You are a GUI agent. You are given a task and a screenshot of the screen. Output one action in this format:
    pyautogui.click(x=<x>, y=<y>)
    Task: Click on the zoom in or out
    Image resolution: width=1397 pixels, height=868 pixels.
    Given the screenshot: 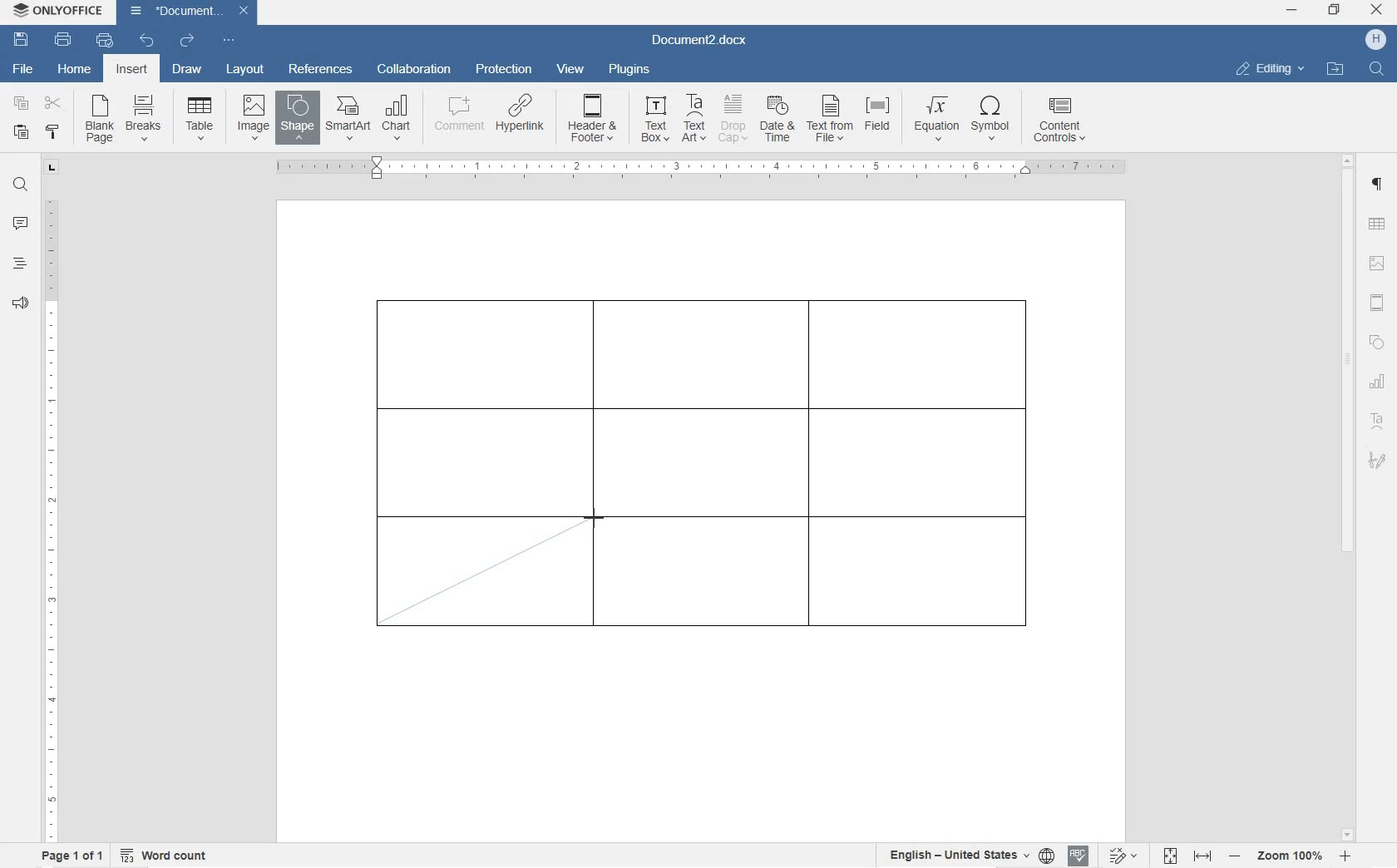 What is the action you would take?
    pyautogui.click(x=1291, y=856)
    